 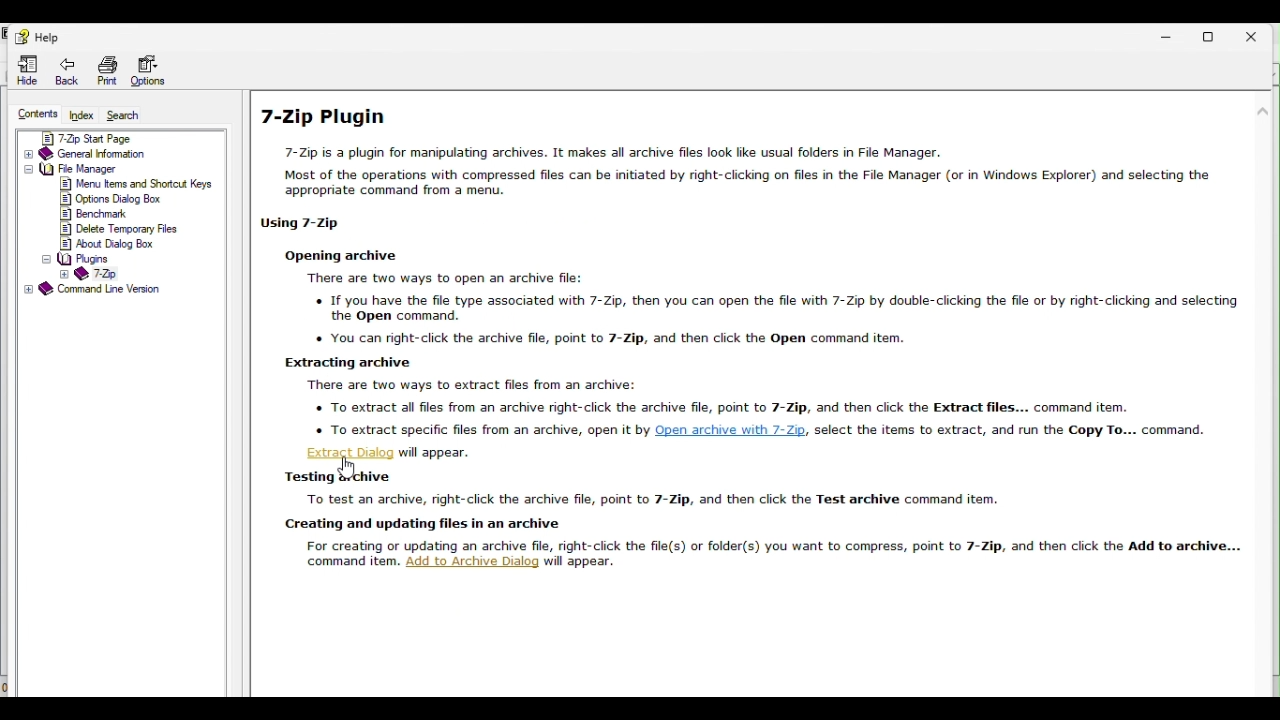 I want to click on plugins, so click(x=91, y=258).